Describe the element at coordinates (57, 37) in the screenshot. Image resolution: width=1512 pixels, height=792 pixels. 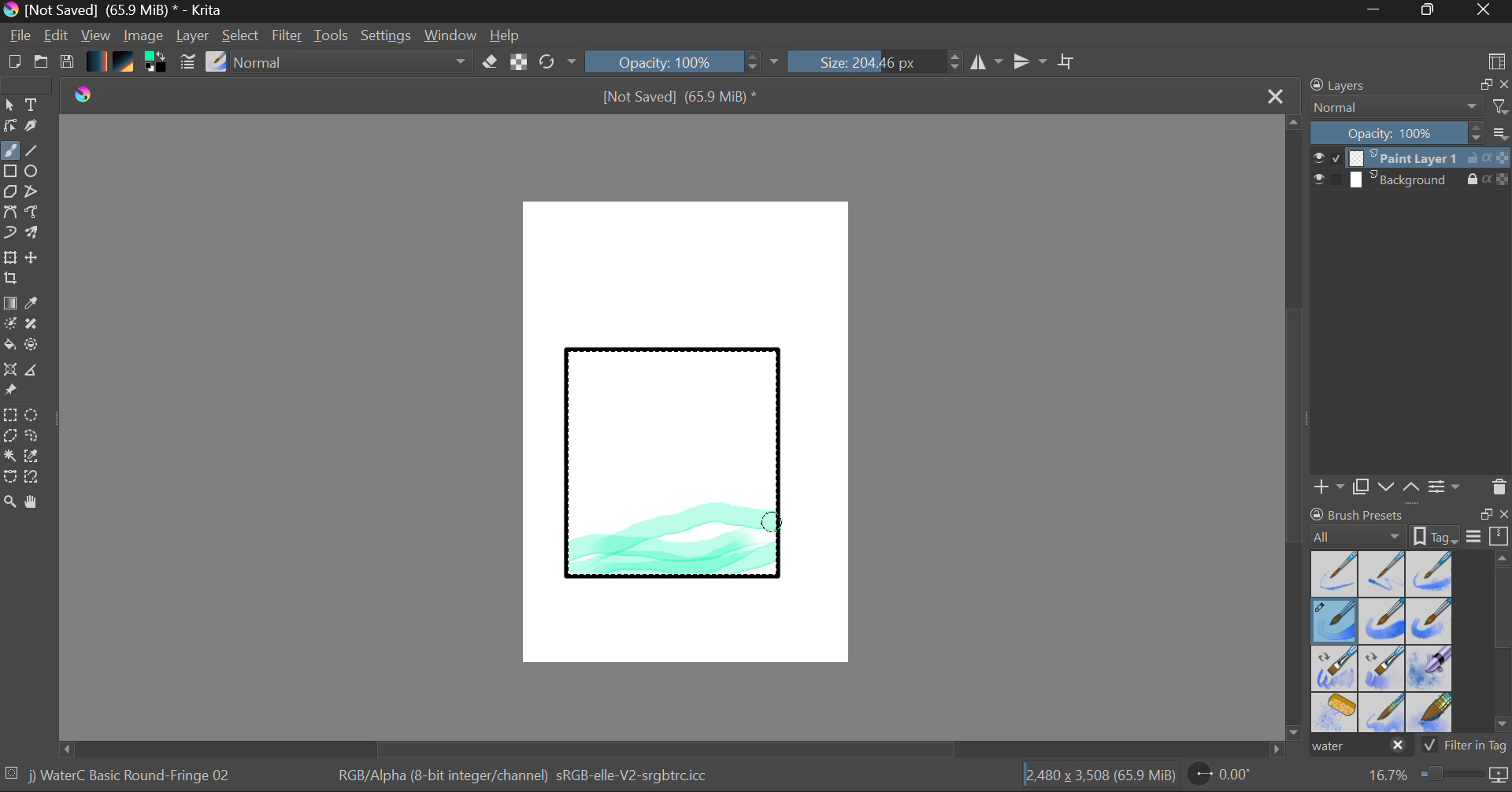
I see `Edit` at that location.